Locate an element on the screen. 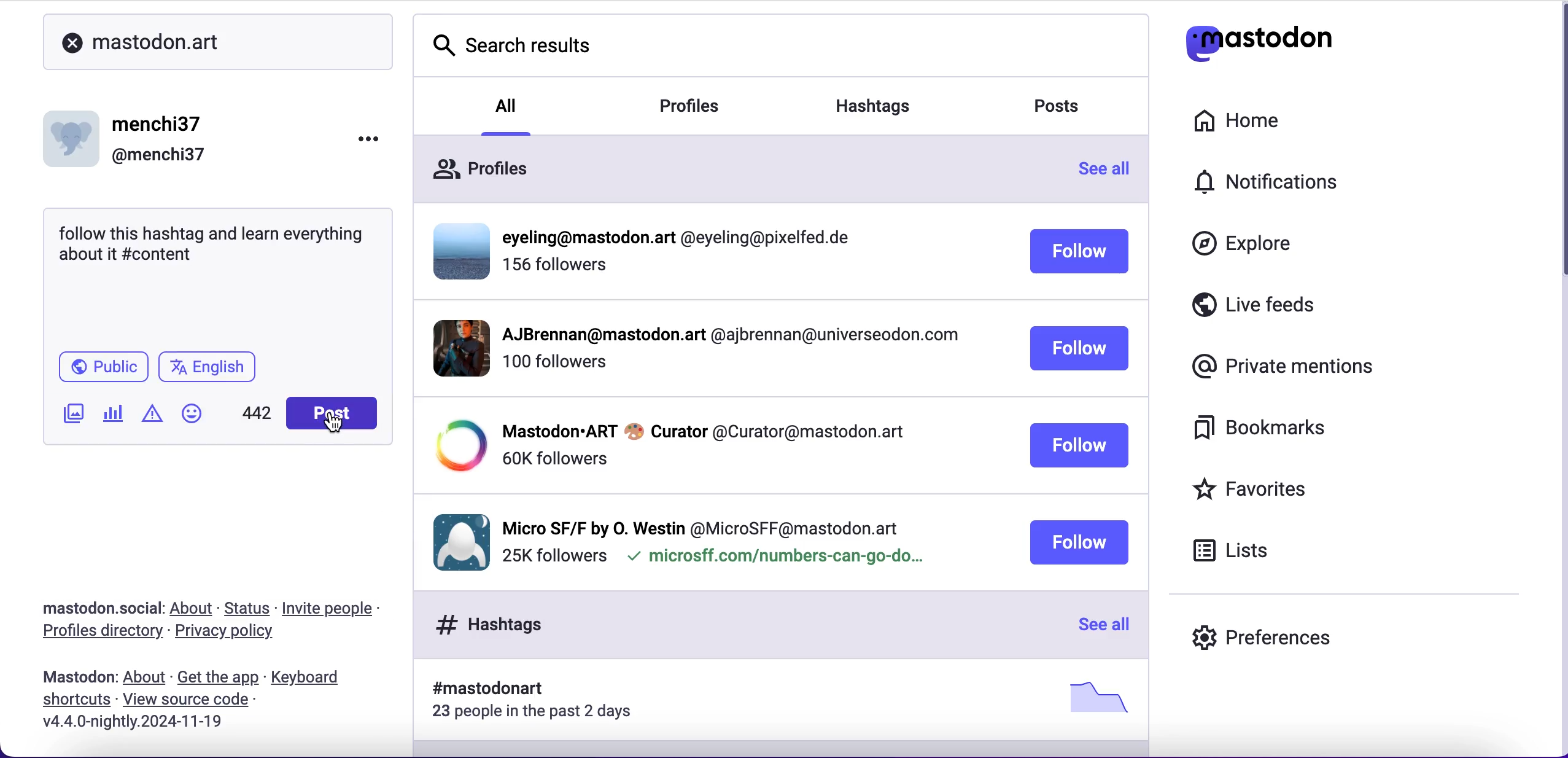  add image is located at coordinates (71, 415).